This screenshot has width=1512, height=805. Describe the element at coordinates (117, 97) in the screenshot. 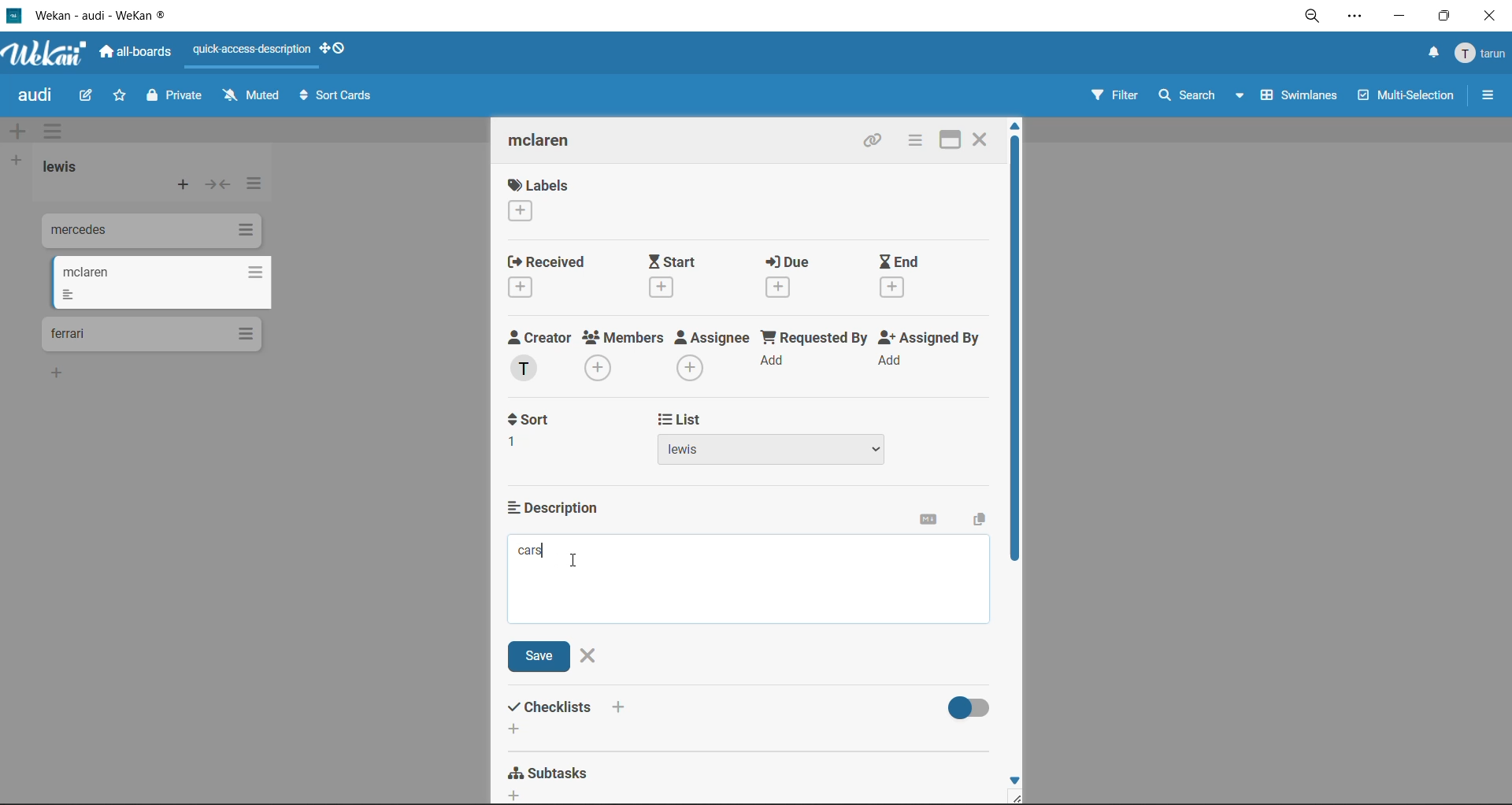

I see `star` at that location.